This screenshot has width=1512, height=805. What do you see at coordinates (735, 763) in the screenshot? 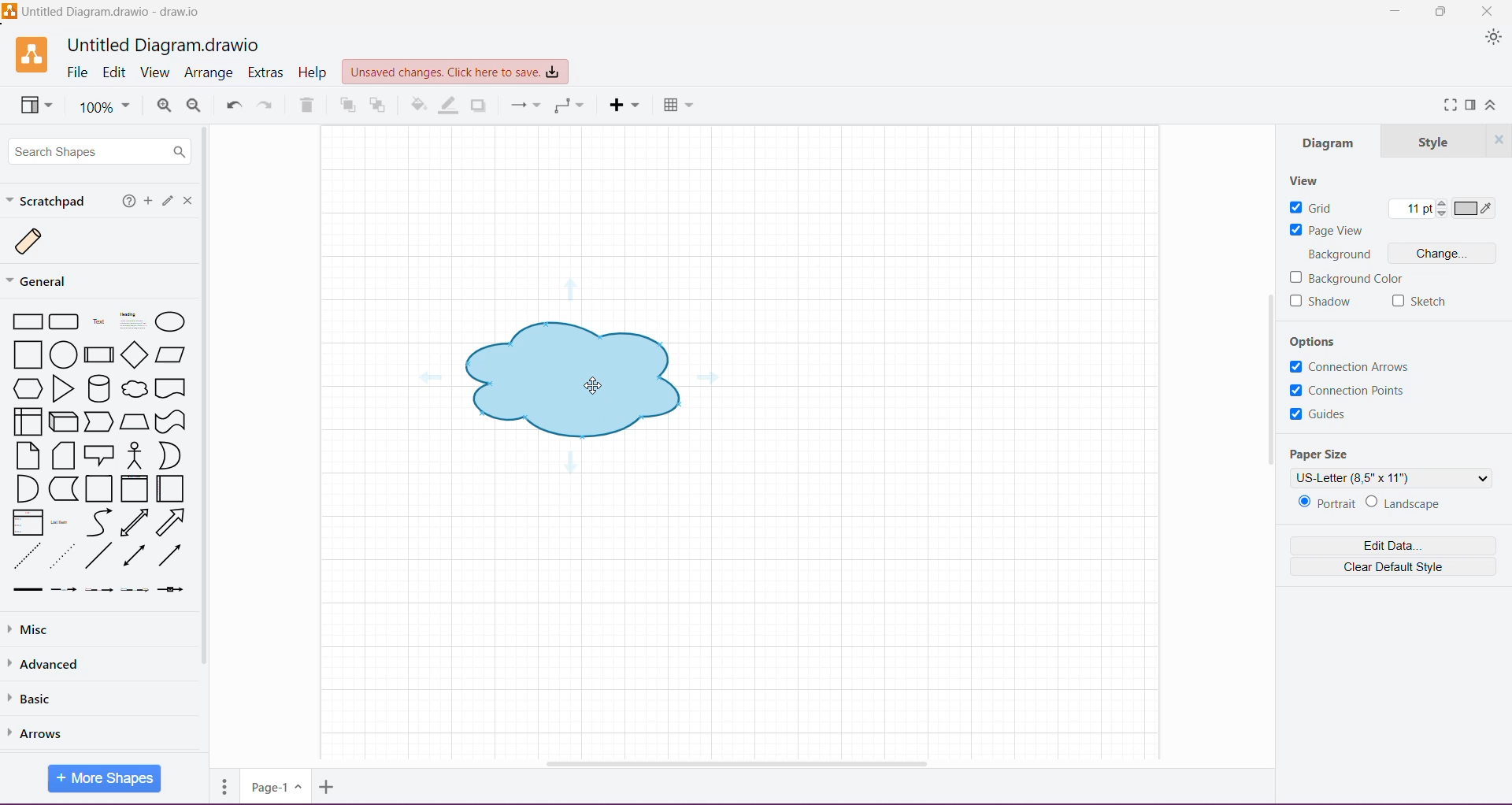
I see `Horizontal Scroll Bar` at bounding box center [735, 763].